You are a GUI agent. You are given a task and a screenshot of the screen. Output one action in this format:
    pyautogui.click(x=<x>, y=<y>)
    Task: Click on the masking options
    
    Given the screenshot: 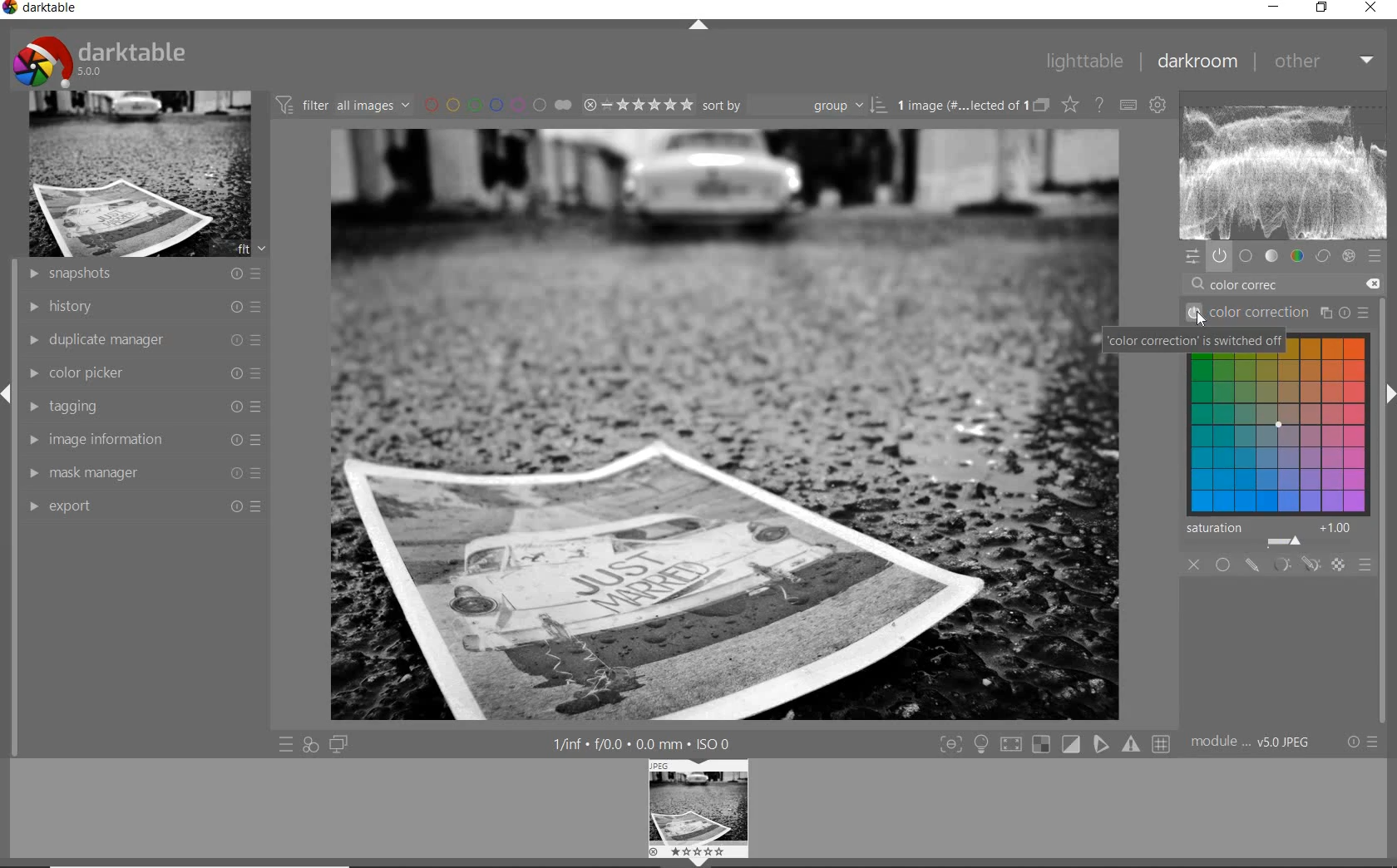 What is the action you would take?
    pyautogui.click(x=1293, y=565)
    